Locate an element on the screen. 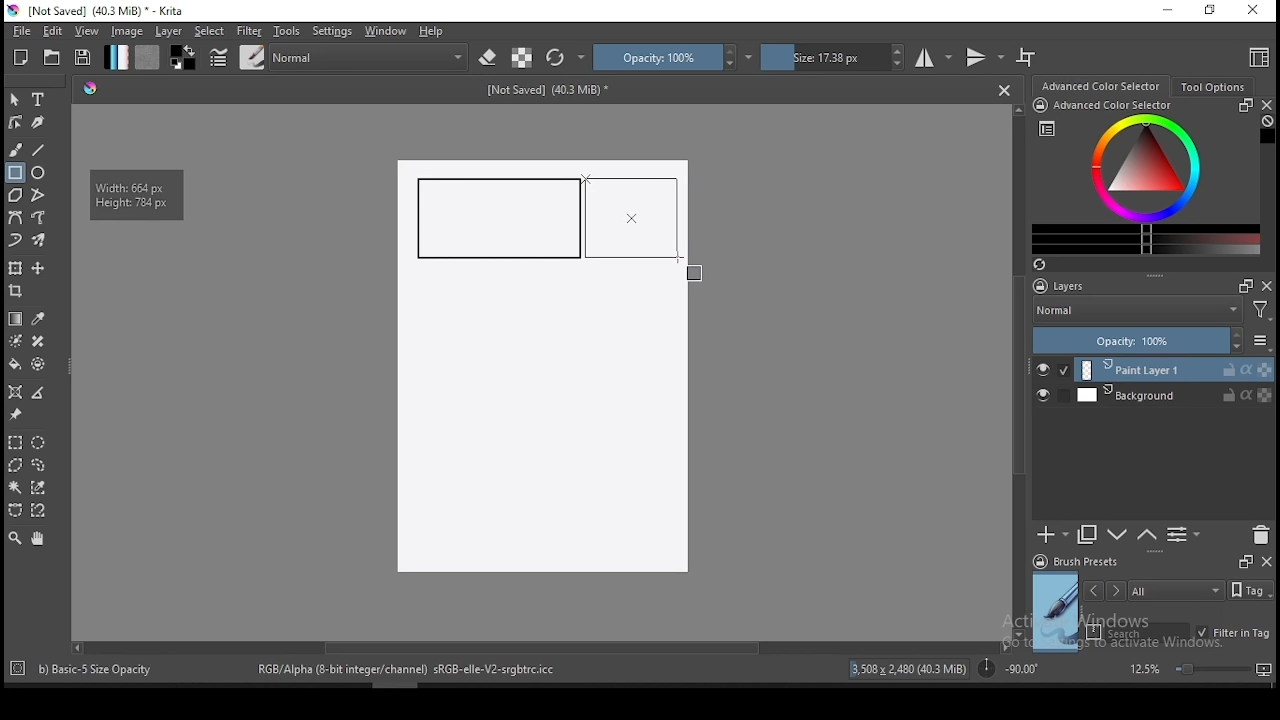  line tool is located at coordinates (39, 150).